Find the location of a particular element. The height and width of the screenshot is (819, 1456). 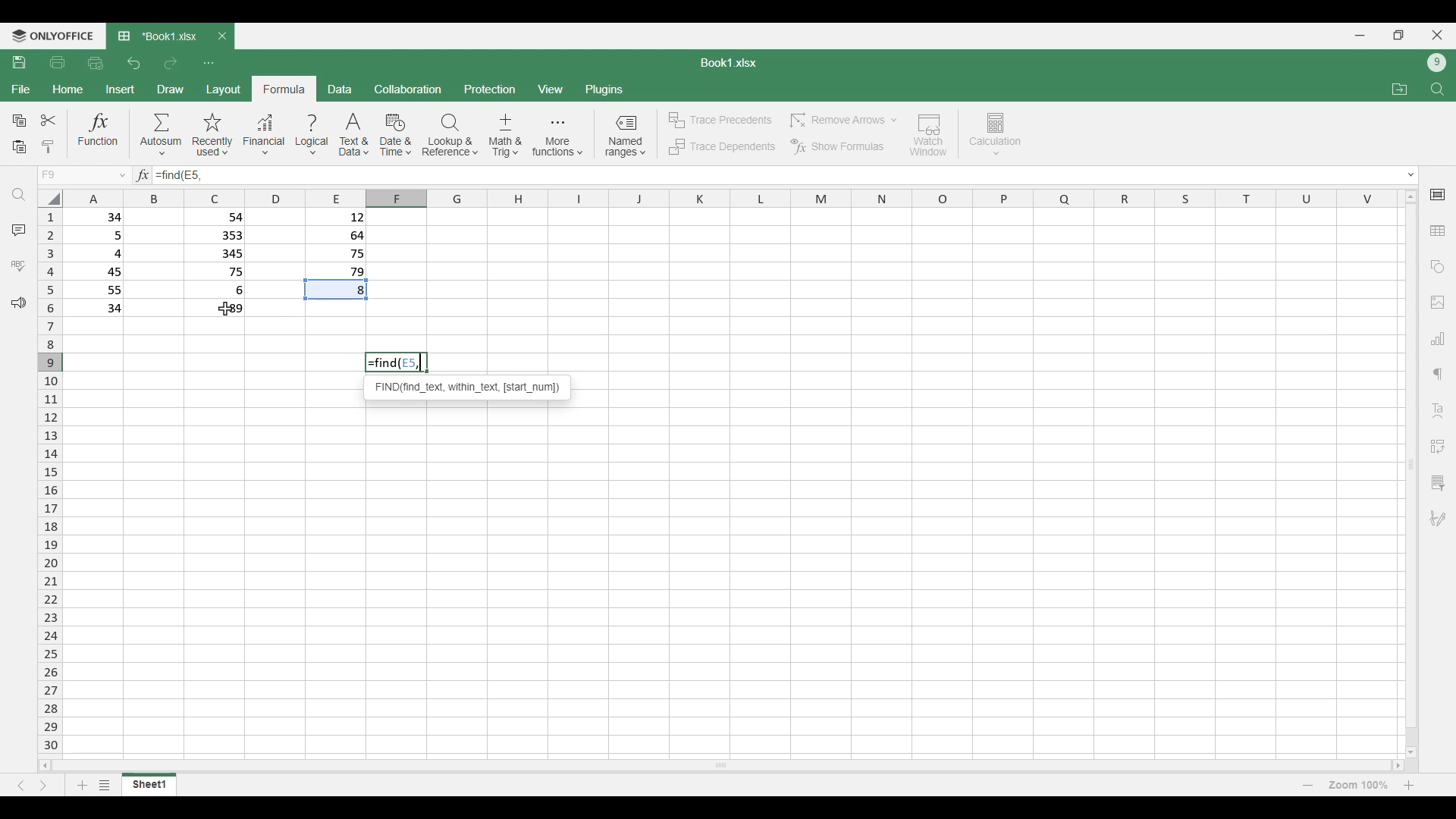

Home menu is located at coordinates (67, 89).